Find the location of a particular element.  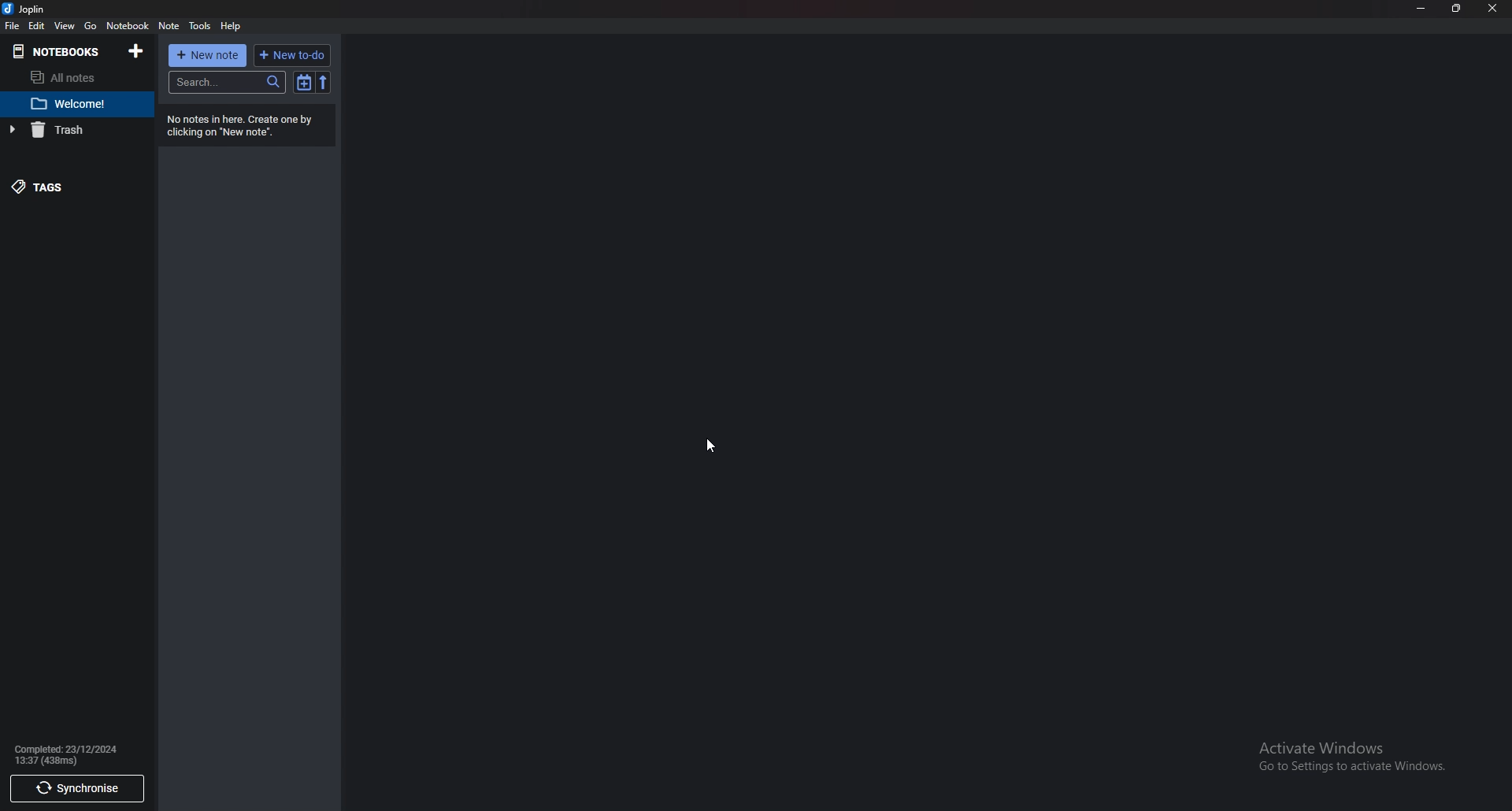

Tools is located at coordinates (200, 28).